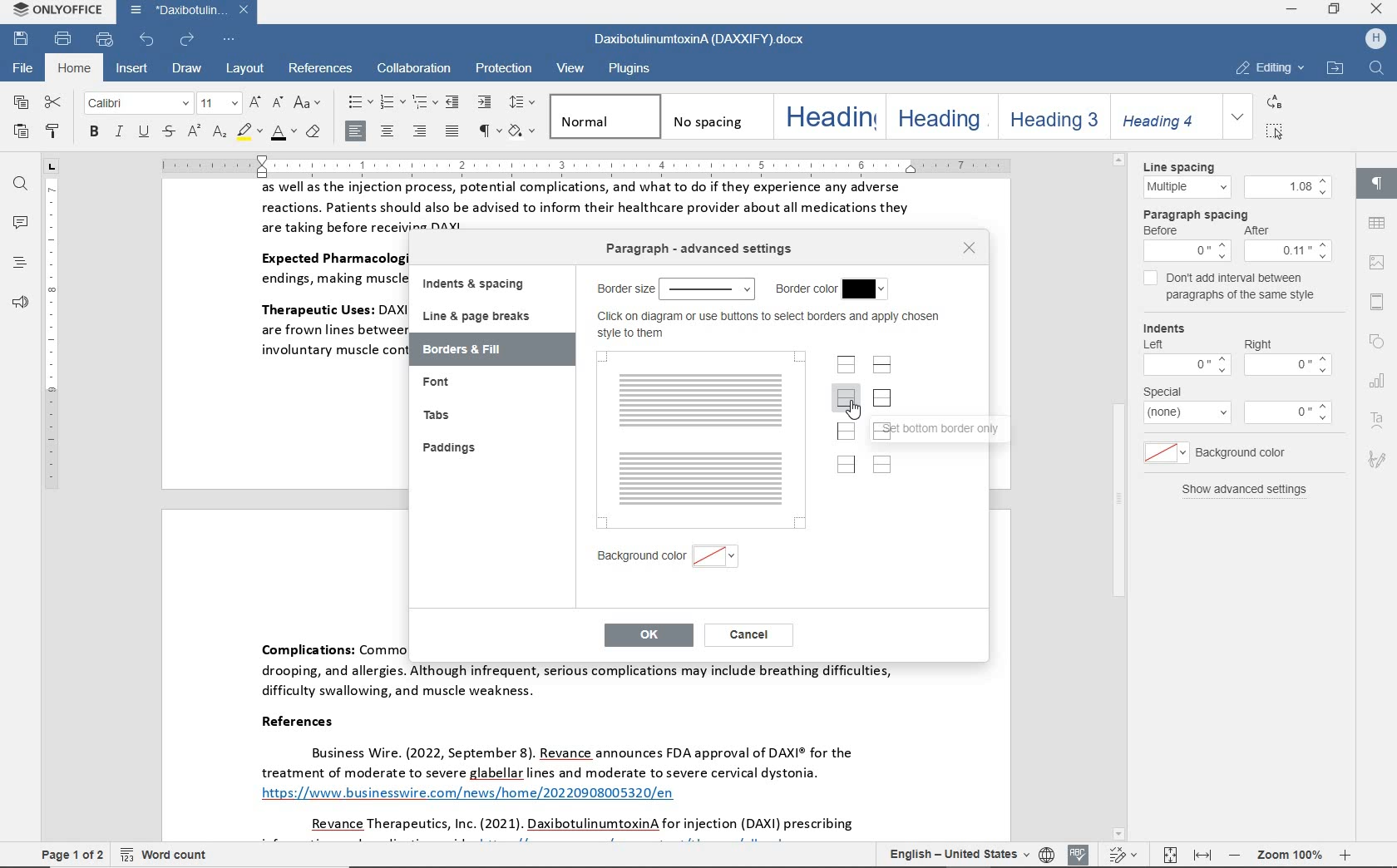  Describe the element at coordinates (1232, 289) in the screenshot. I see `don't add interval between paragraphs of the same style` at that location.